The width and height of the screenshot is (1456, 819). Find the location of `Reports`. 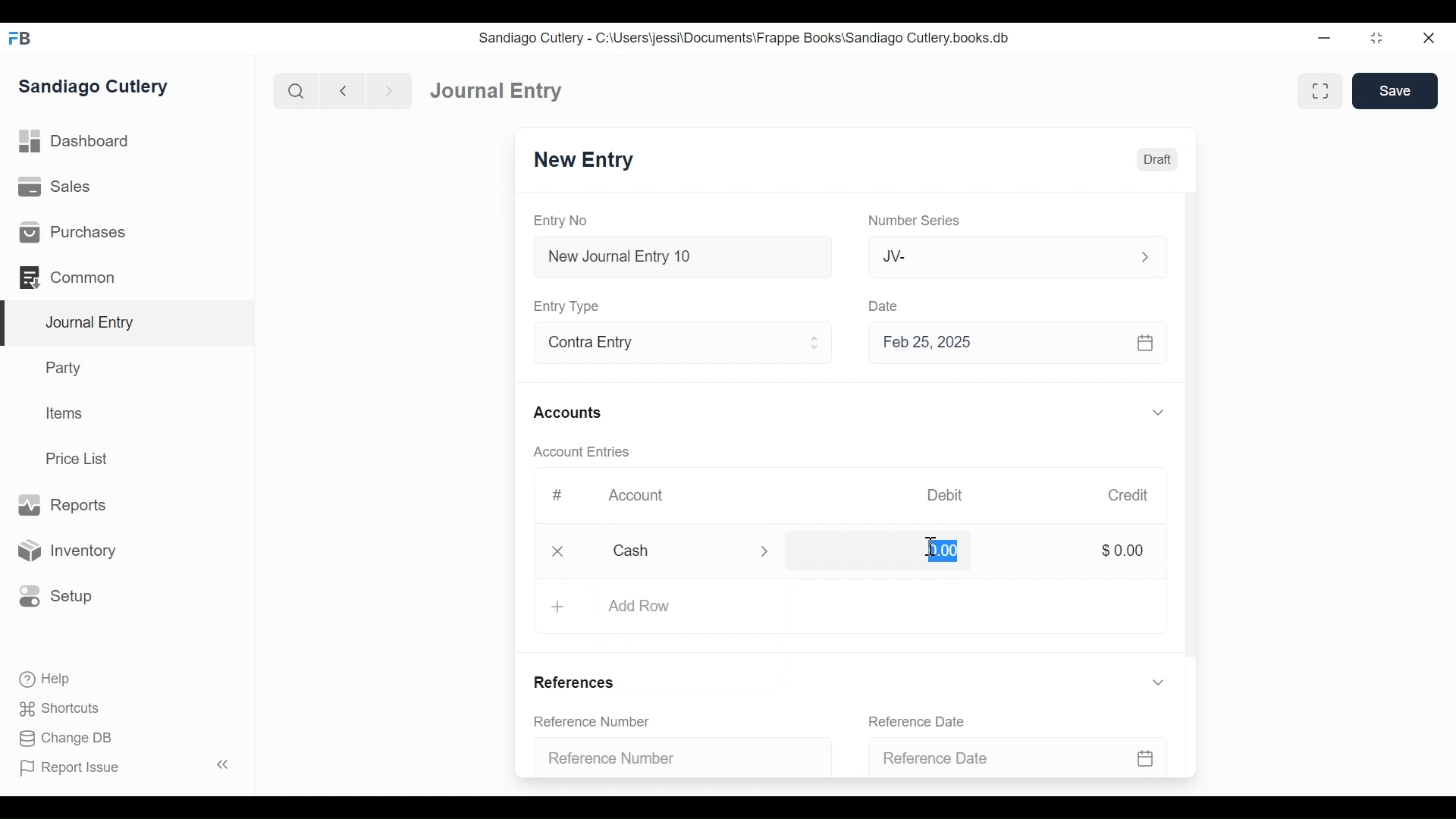

Reports is located at coordinates (61, 504).